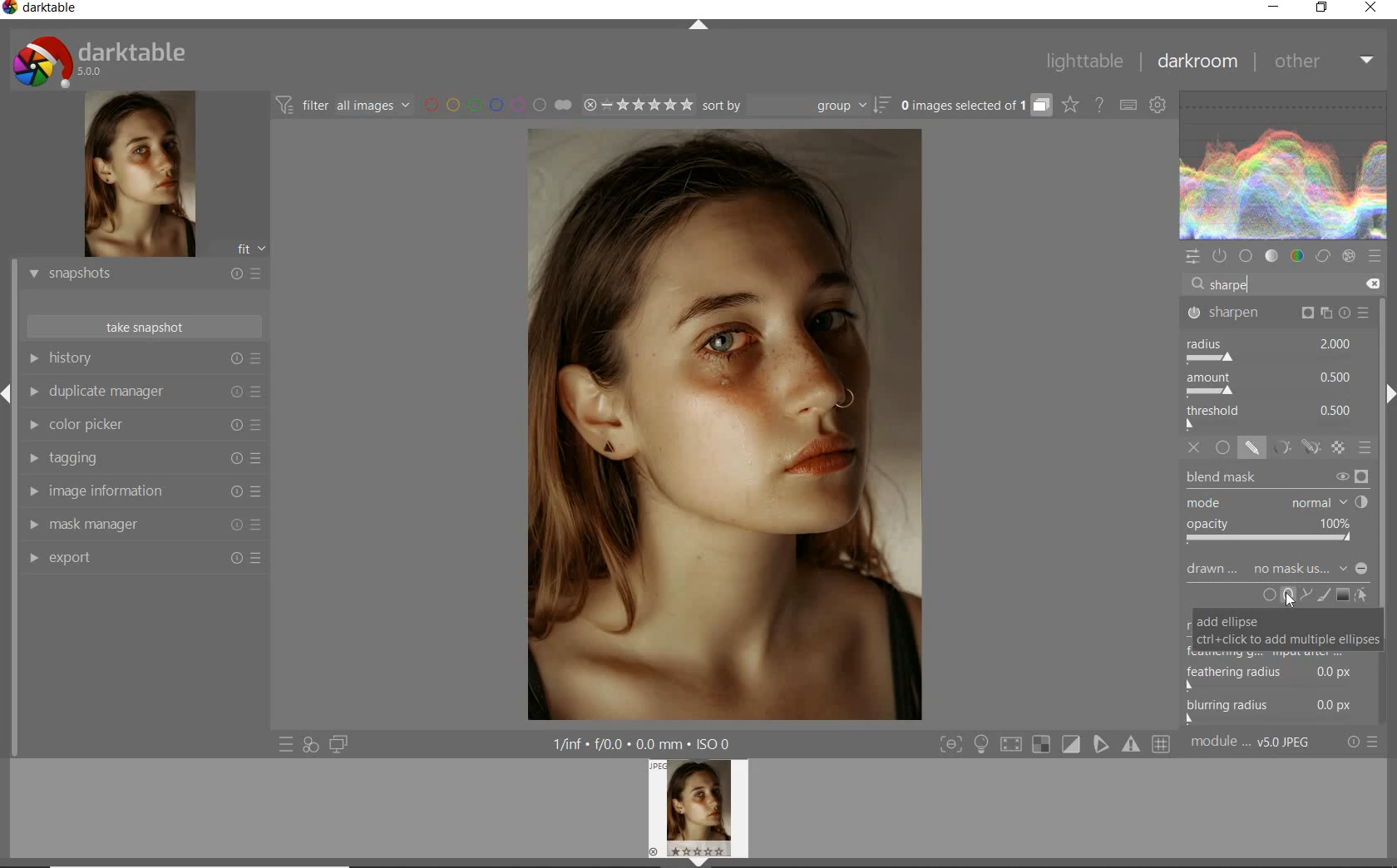 The width and height of the screenshot is (1397, 868). Describe the element at coordinates (144, 275) in the screenshot. I see `snapshots` at that location.